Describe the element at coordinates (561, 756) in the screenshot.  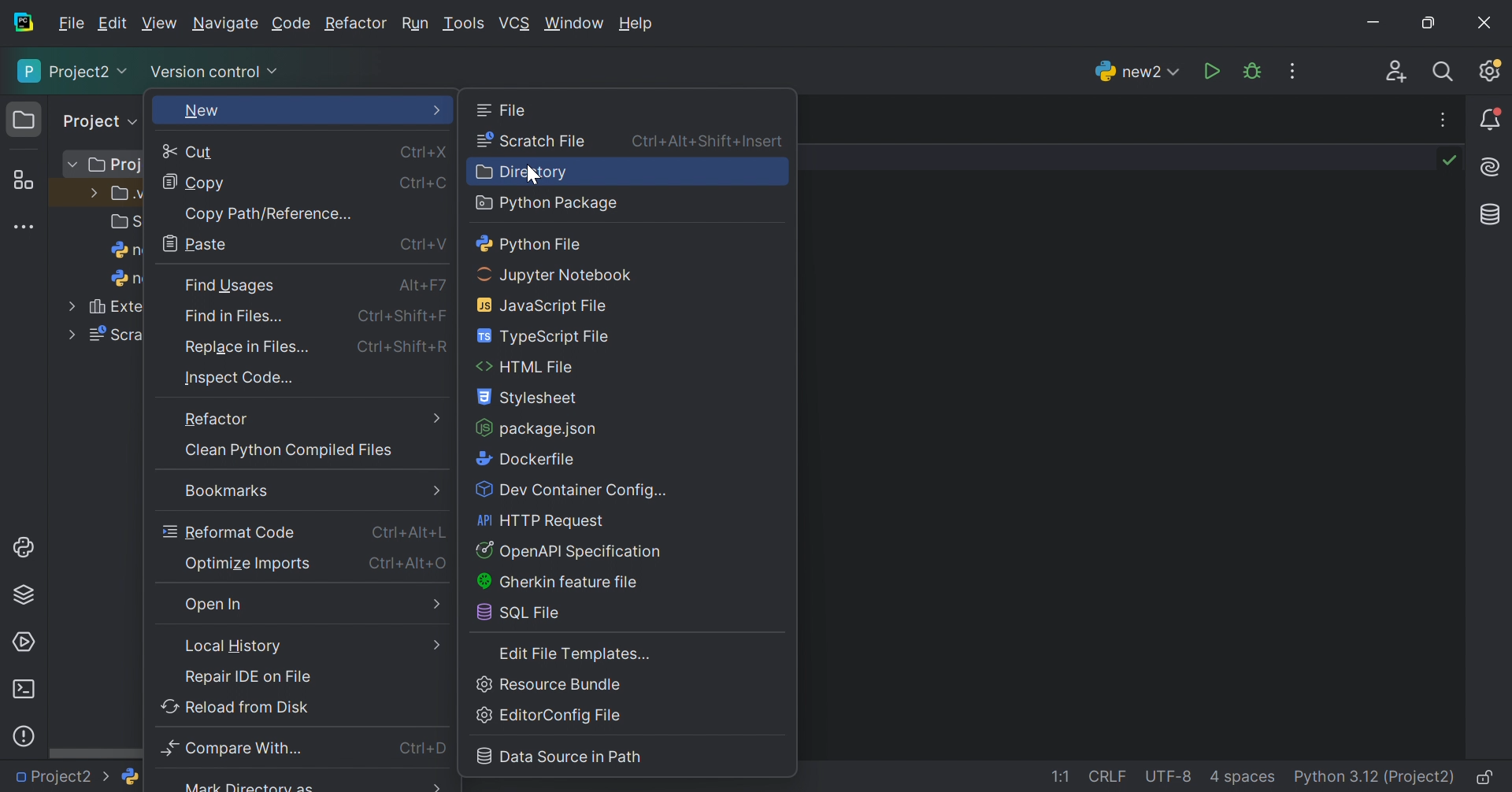
I see `Data Source in Path` at that location.